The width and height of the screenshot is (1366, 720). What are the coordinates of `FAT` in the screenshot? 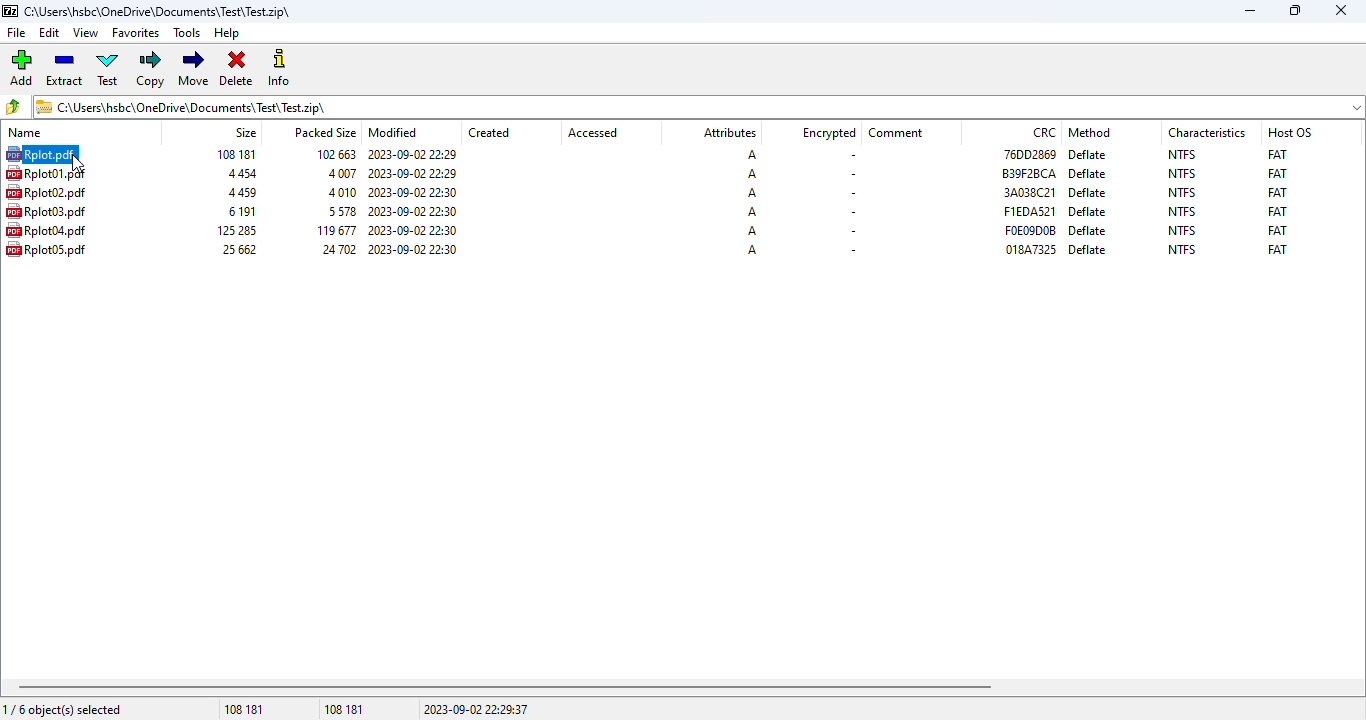 It's located at (1278, 211).